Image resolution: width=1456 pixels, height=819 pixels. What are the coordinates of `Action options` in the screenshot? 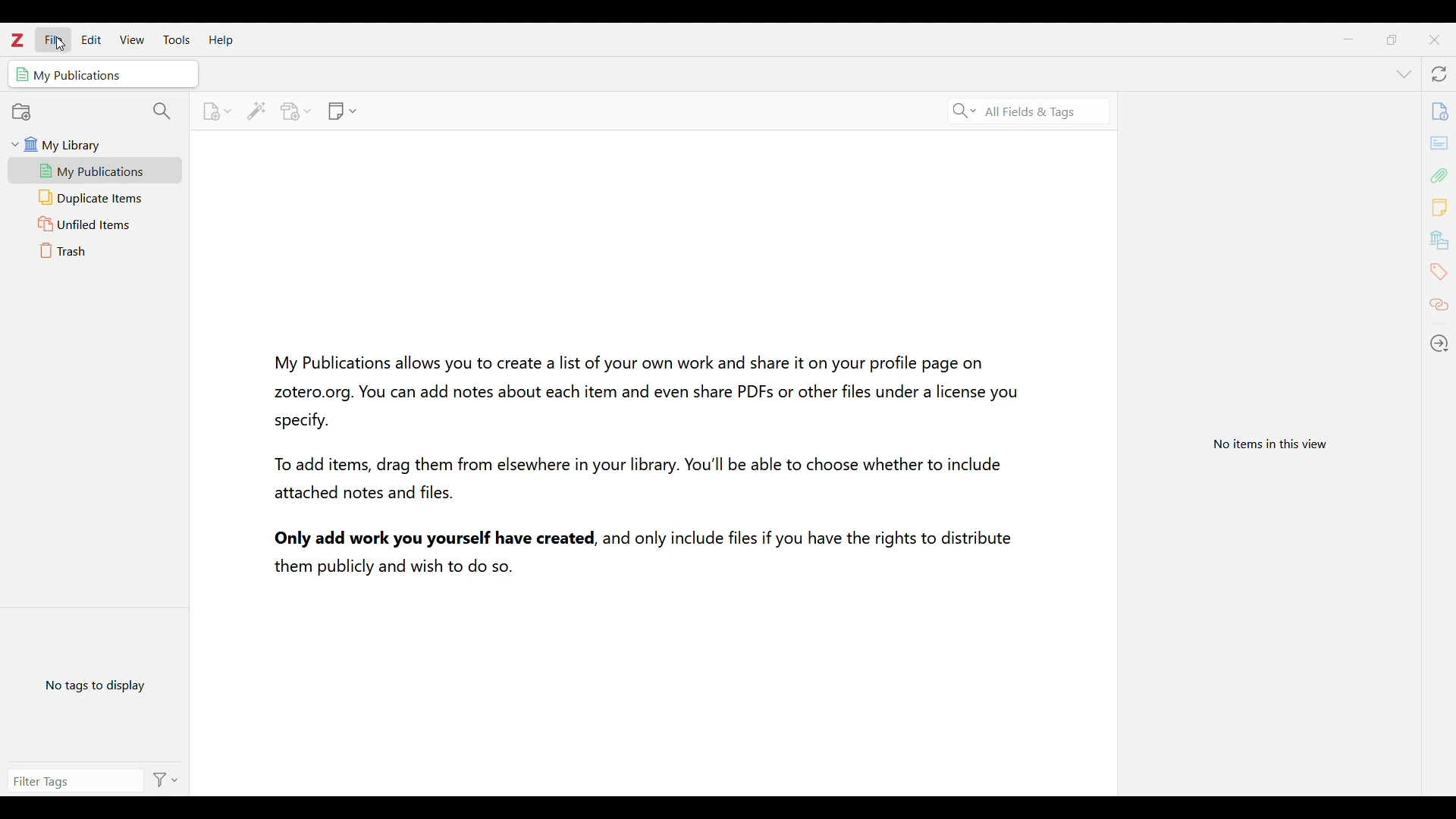 It's located at (164, 780).